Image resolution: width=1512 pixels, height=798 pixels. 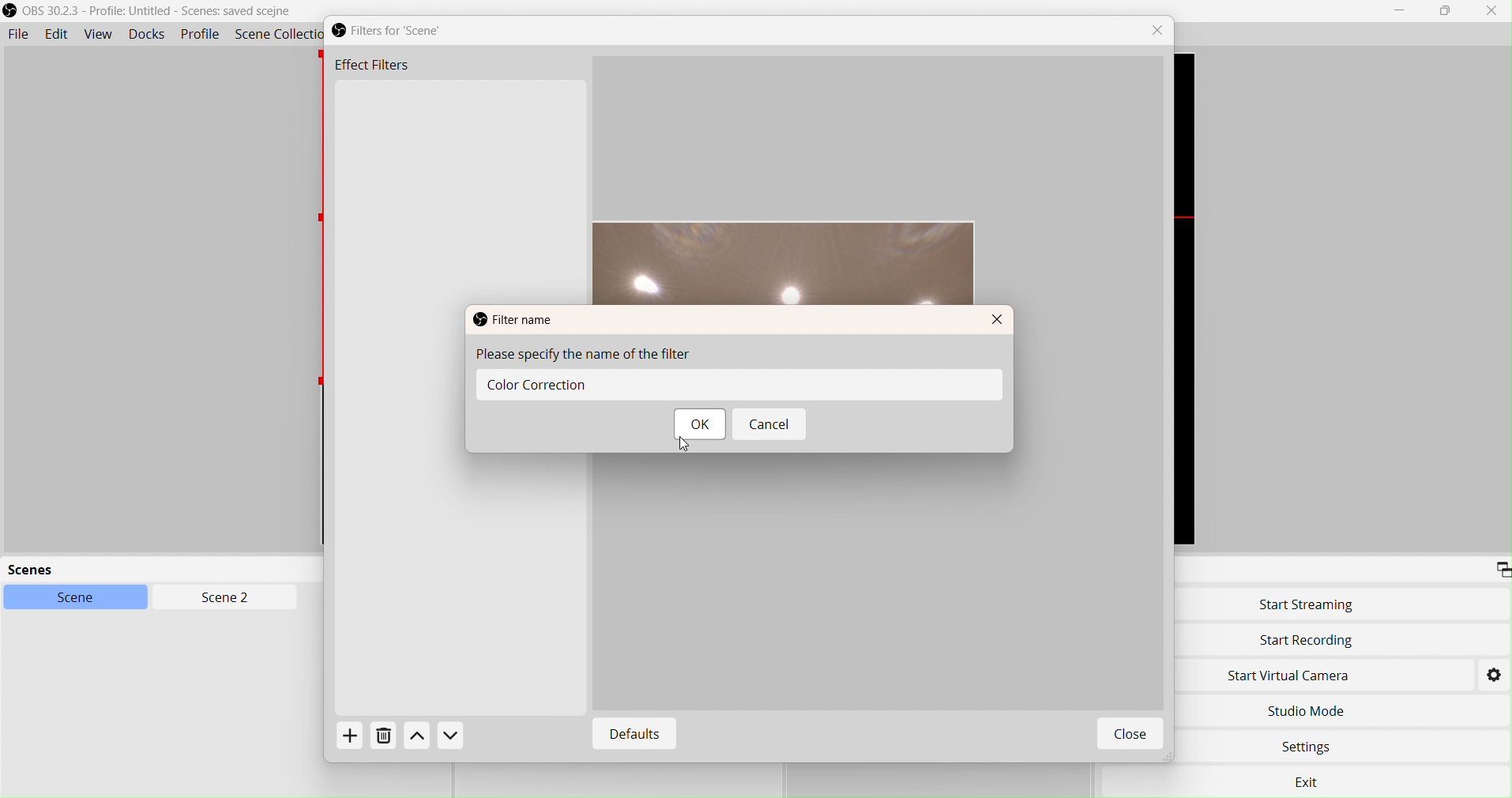 I want to click on Profile, so click(x=201, y=36).